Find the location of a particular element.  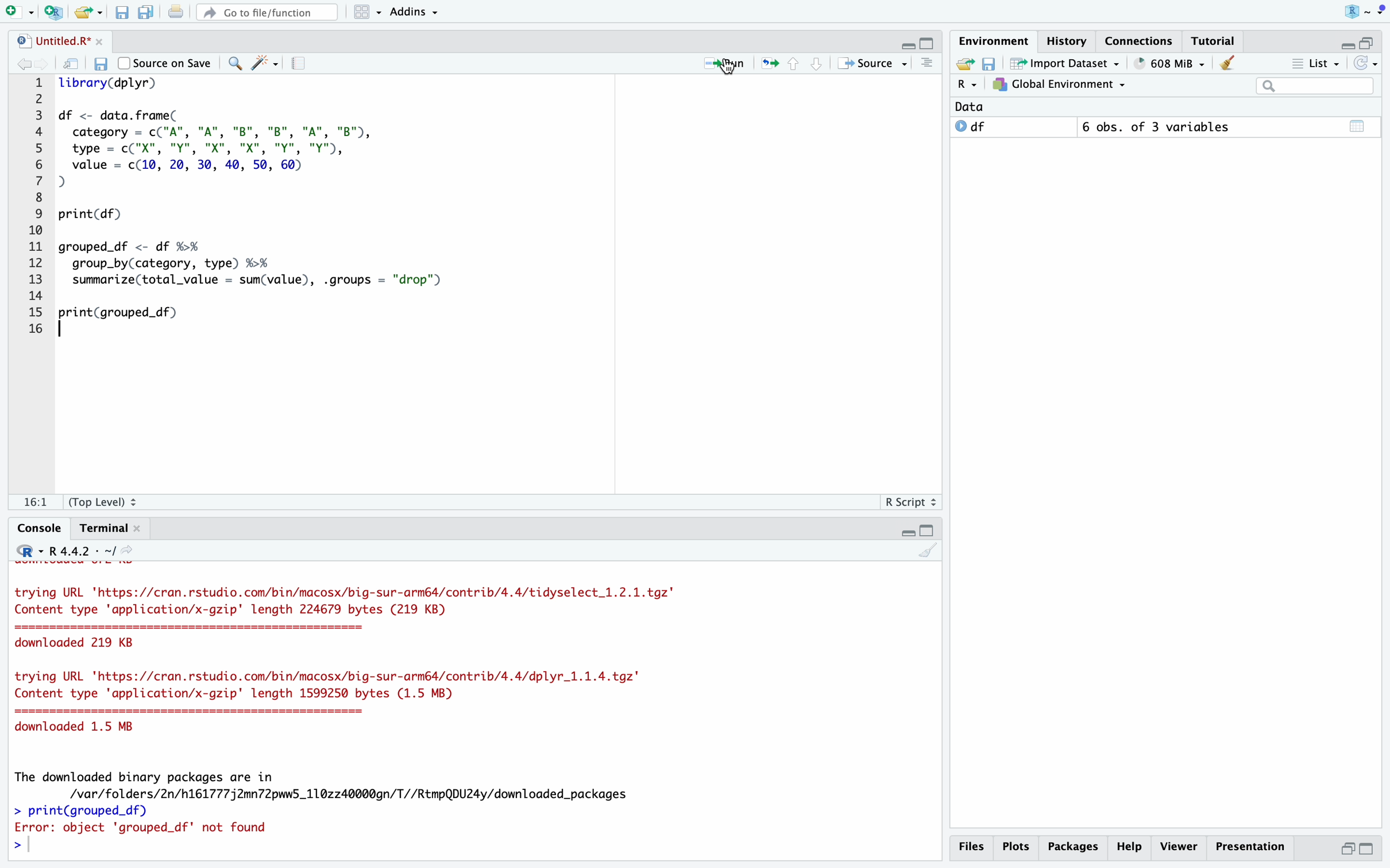

Save is located at coordinates (102, 64).